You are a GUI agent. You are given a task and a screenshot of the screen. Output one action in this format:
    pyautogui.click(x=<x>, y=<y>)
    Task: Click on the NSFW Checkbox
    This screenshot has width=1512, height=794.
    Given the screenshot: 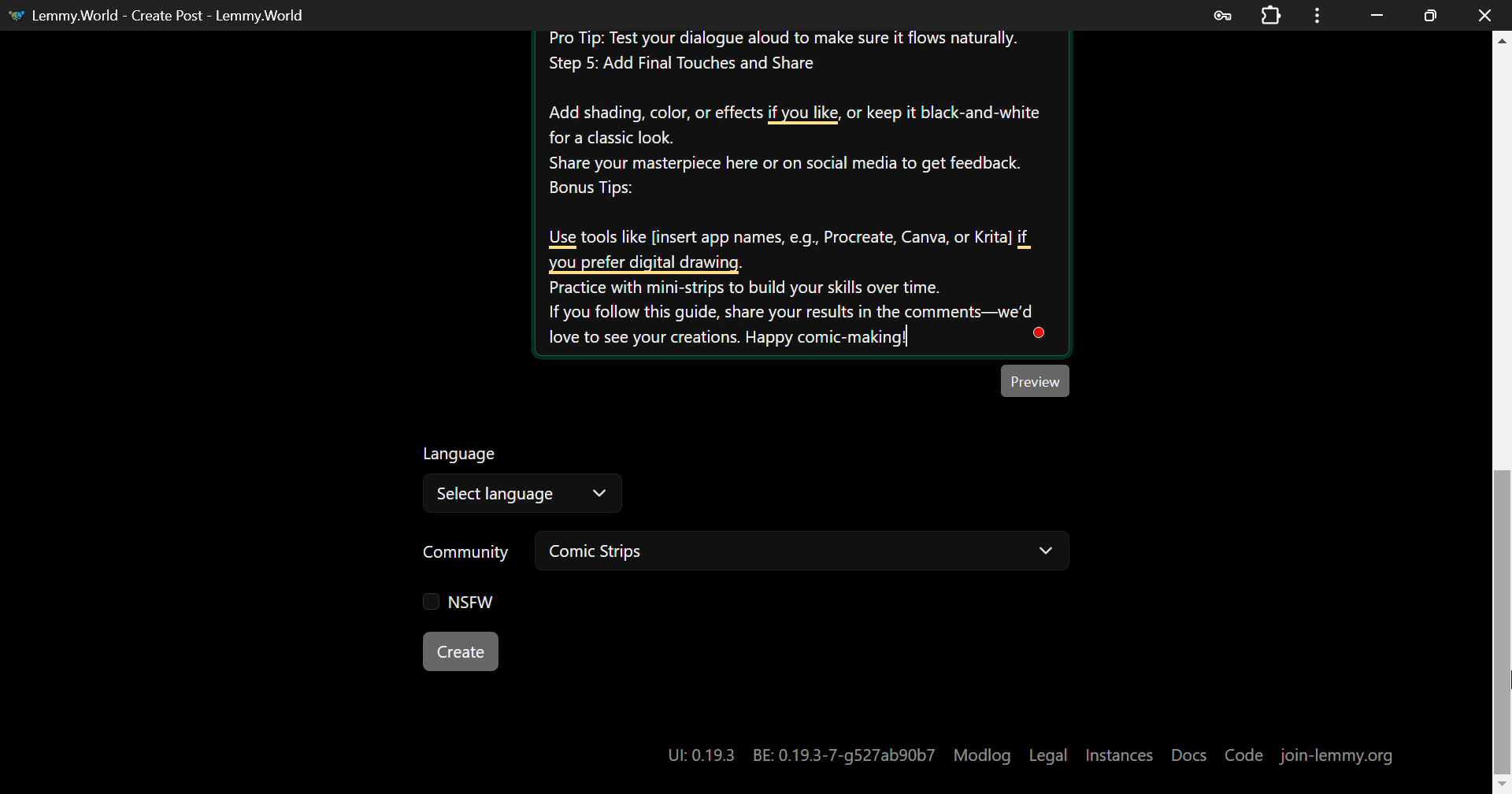 What is the action you would take?
    pyautogui.click(x=462, y=602)
    